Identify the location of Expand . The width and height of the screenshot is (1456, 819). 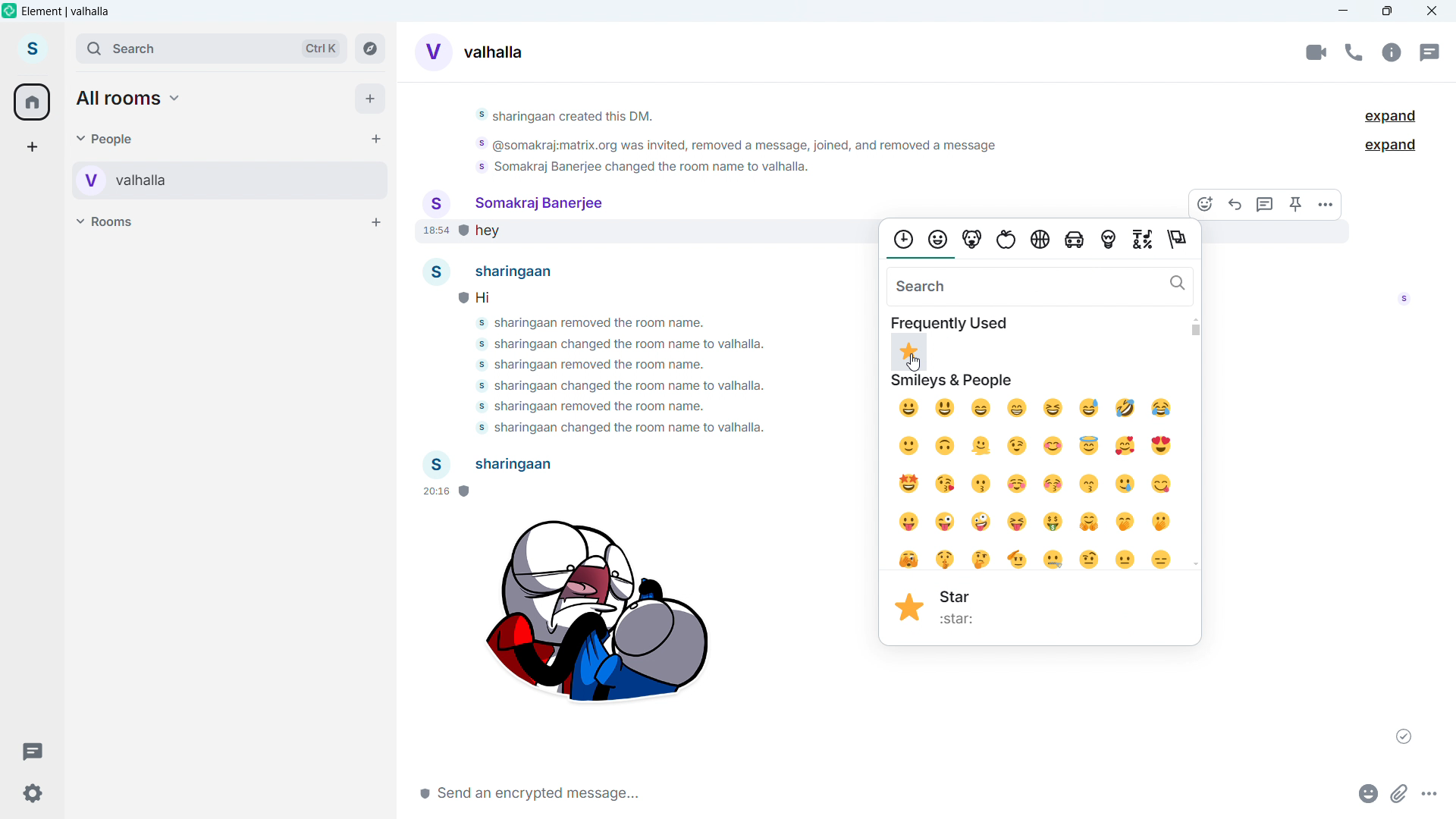
(1391, 117).